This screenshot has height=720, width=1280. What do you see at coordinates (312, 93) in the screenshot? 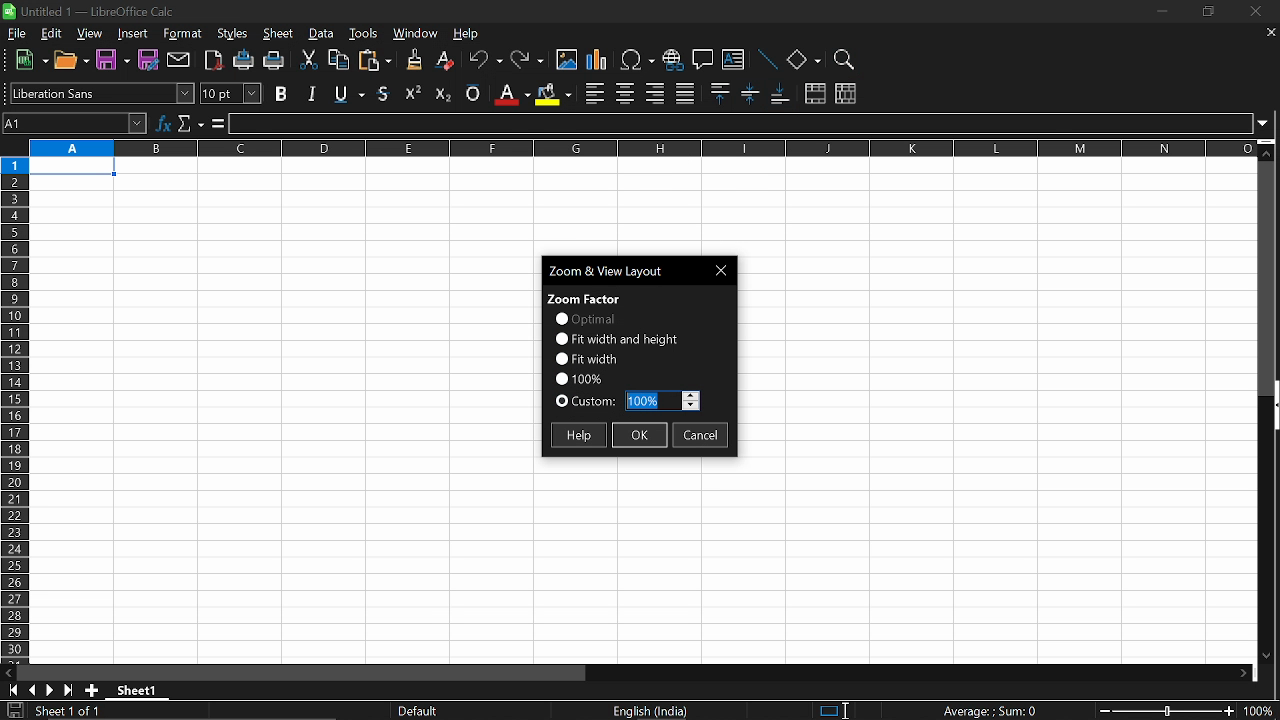
I see `italic` at bounding box center [312, 93].